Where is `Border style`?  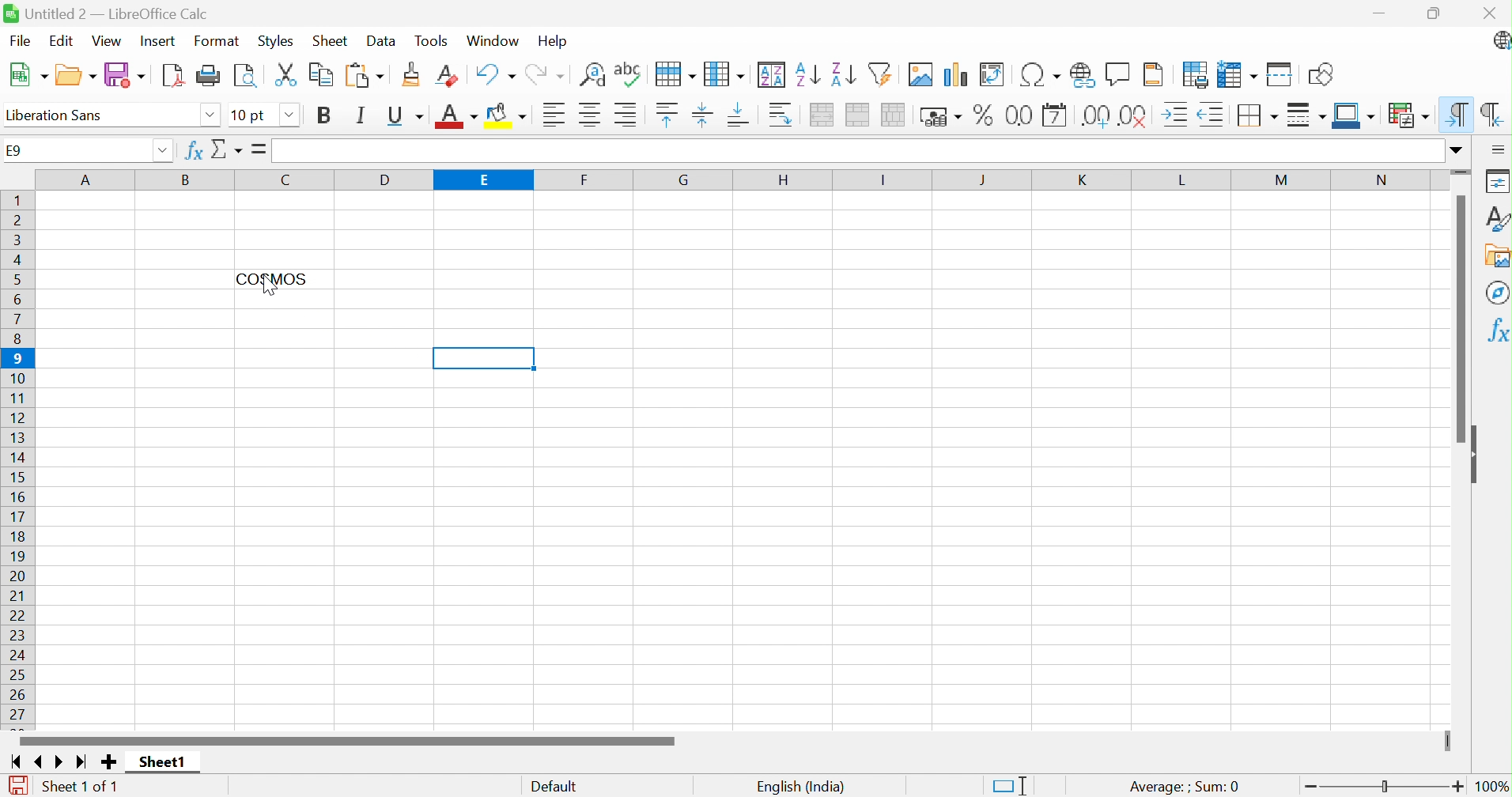
Border style is located at coordinates (1304, 115).